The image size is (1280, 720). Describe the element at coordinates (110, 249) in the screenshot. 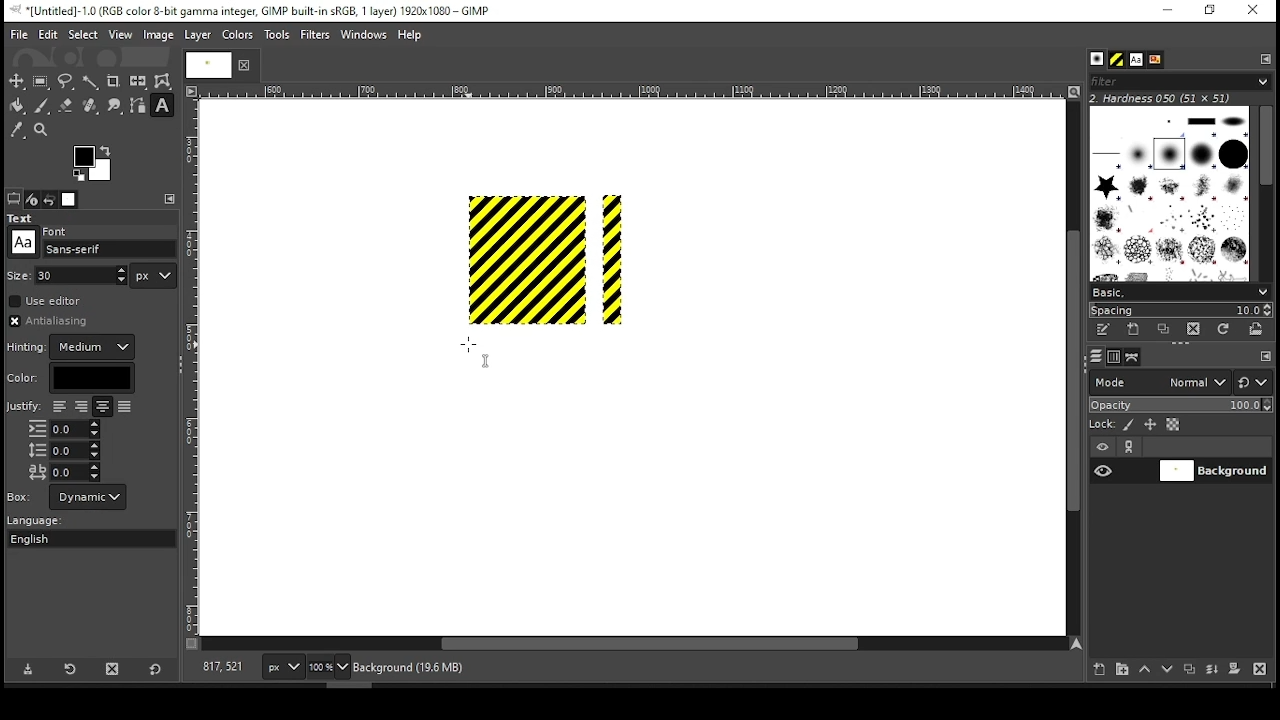

I see `font` at that location.